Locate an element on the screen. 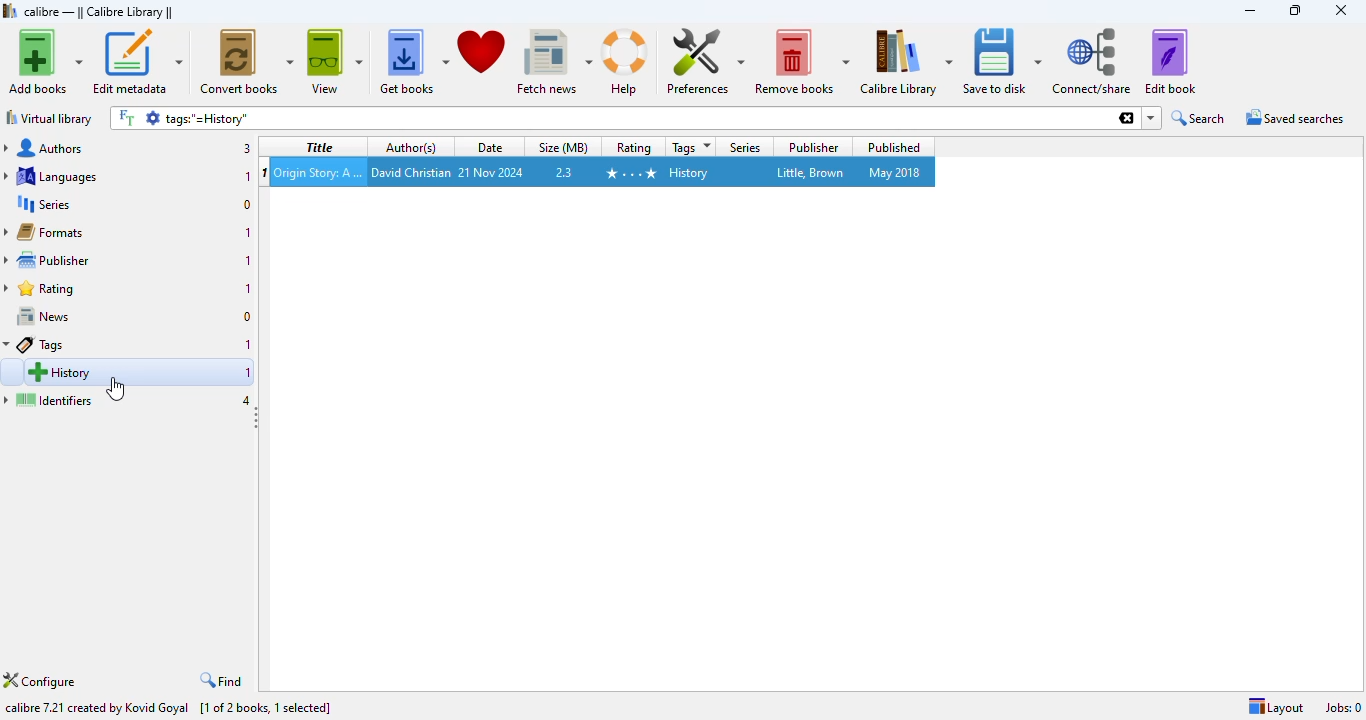 This screenshot has height=720, width=1366. Rating is located at coordinates (633, 147).